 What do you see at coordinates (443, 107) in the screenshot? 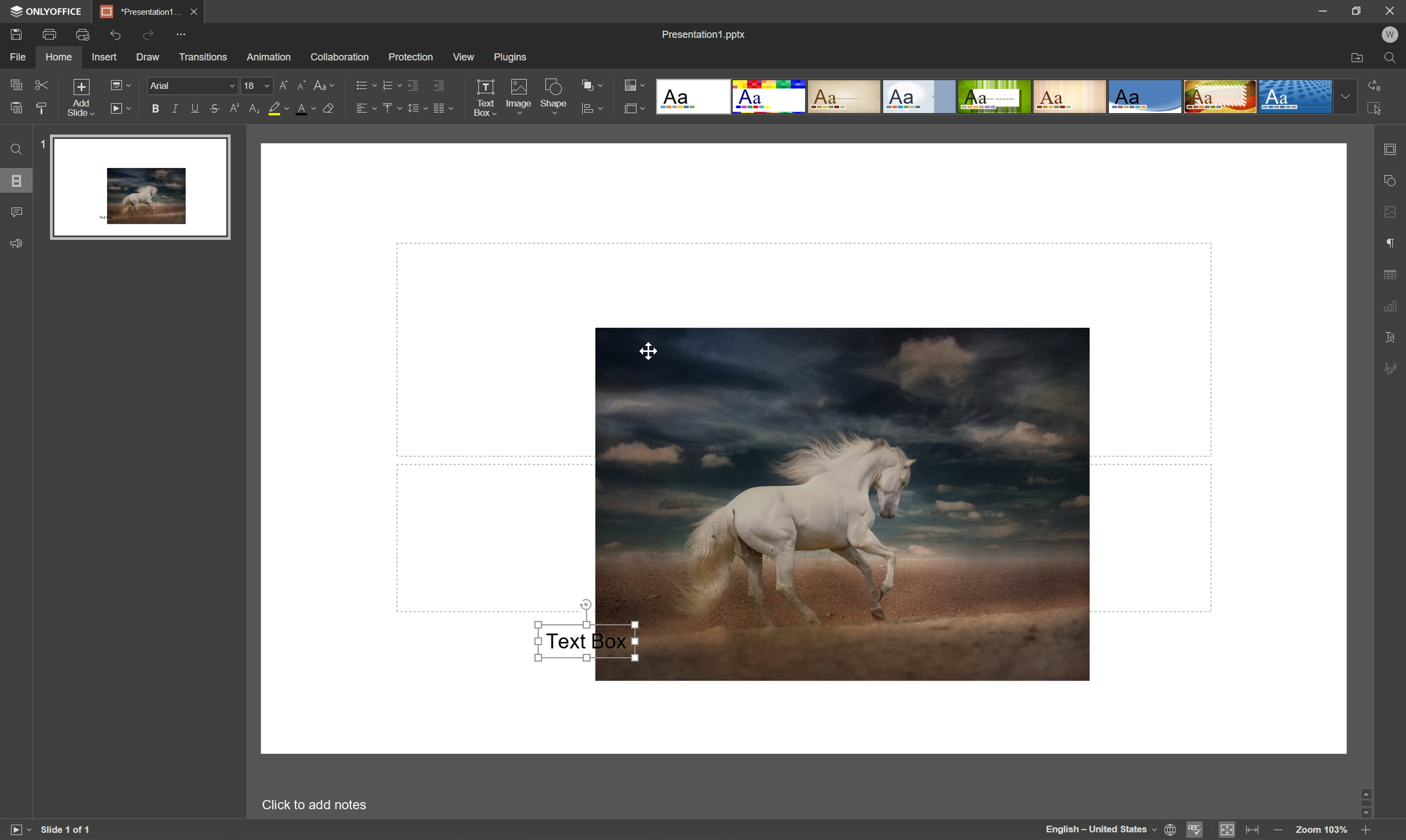
I see `Insert columns` at bounding box center [443, 107].